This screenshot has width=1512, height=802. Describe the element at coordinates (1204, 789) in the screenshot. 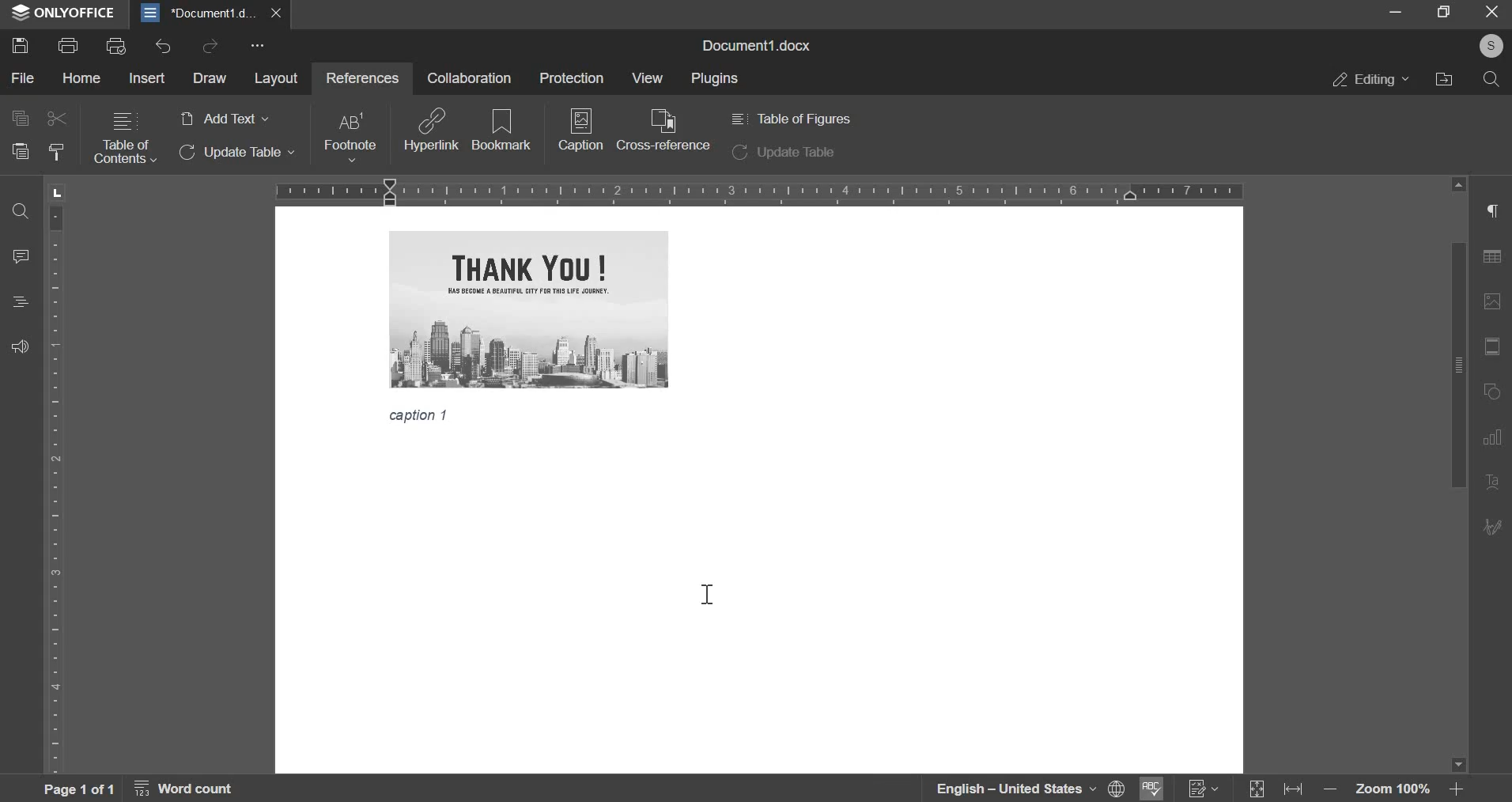

I see `Track Changes` at that location.